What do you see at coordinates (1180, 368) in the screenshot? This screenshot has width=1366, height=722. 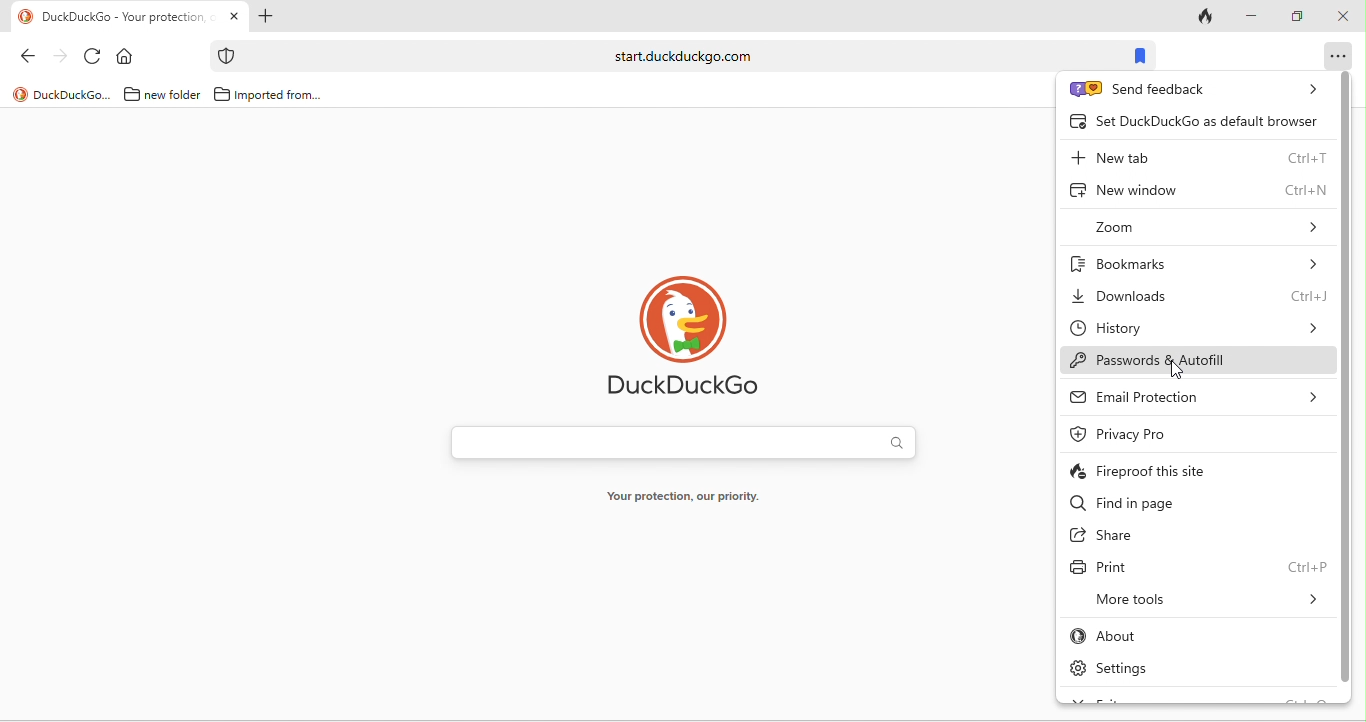 I see `cursor` at bounding box center [1180, 368].